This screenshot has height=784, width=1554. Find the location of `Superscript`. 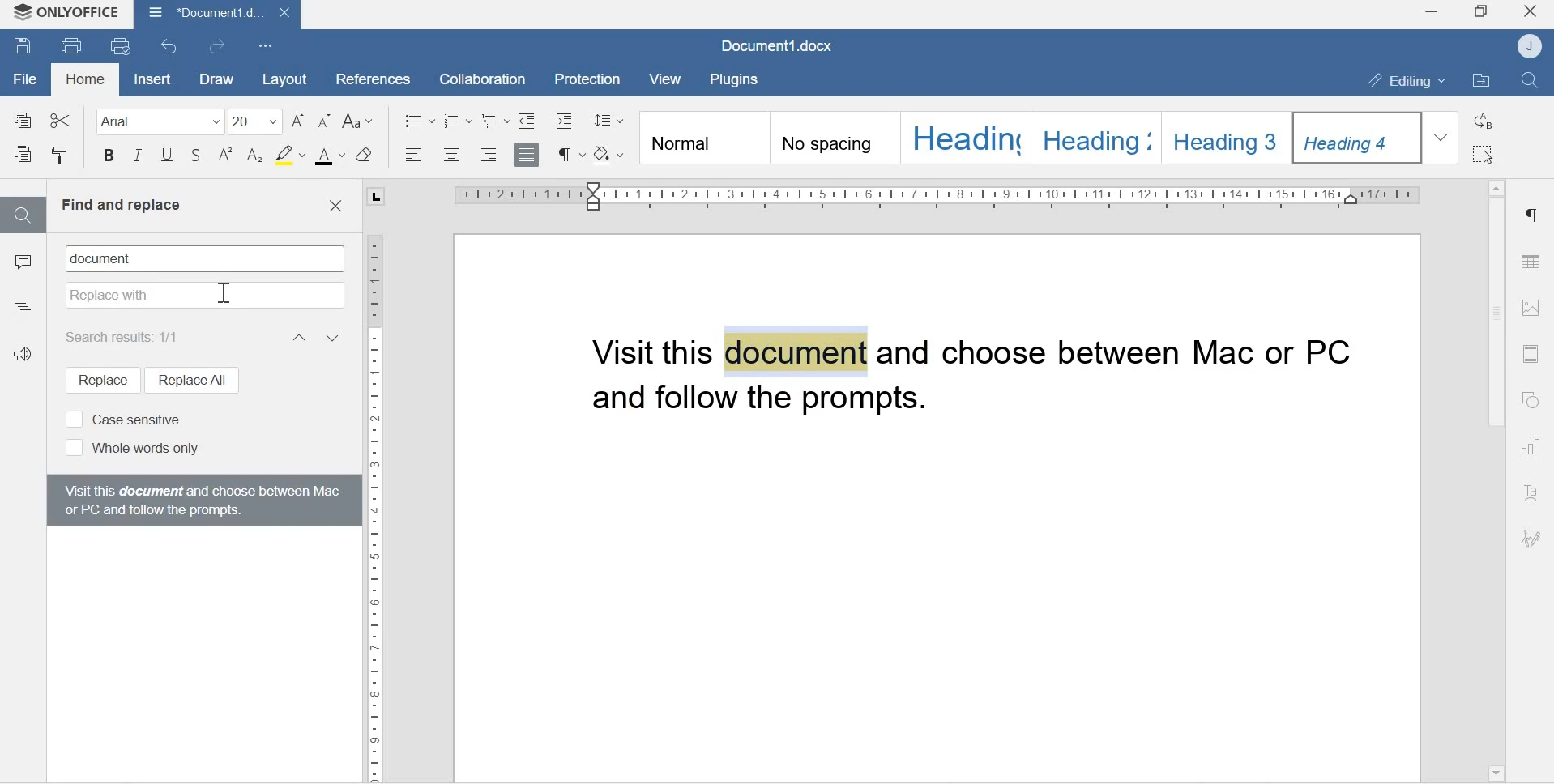

Superscript is located at coordinates (226, 156).